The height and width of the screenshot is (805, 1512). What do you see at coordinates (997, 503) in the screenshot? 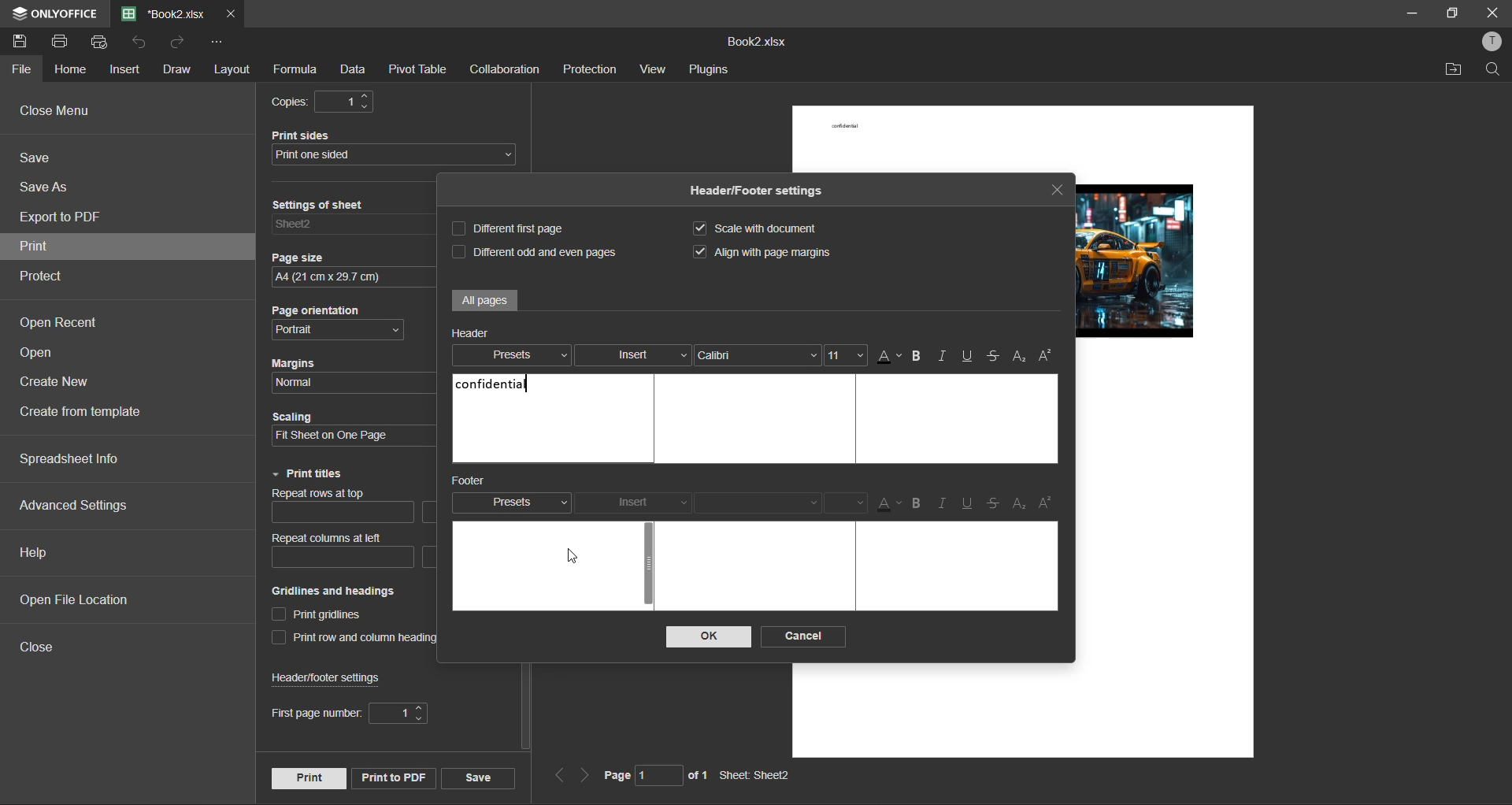
I see `strikethrough` at bounding box center [997, 503].